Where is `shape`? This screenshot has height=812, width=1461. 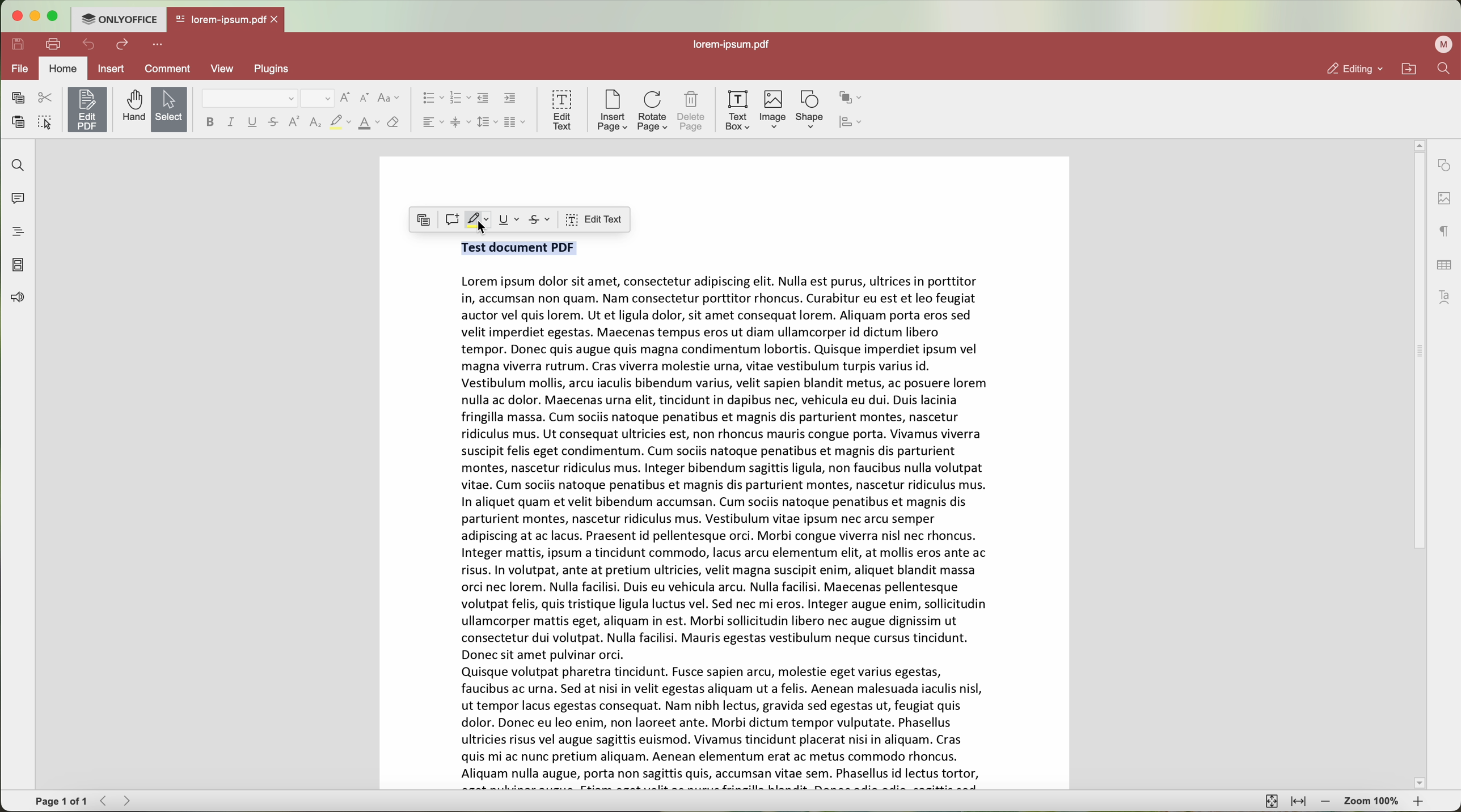
shape is located at coordinates (810, 111).